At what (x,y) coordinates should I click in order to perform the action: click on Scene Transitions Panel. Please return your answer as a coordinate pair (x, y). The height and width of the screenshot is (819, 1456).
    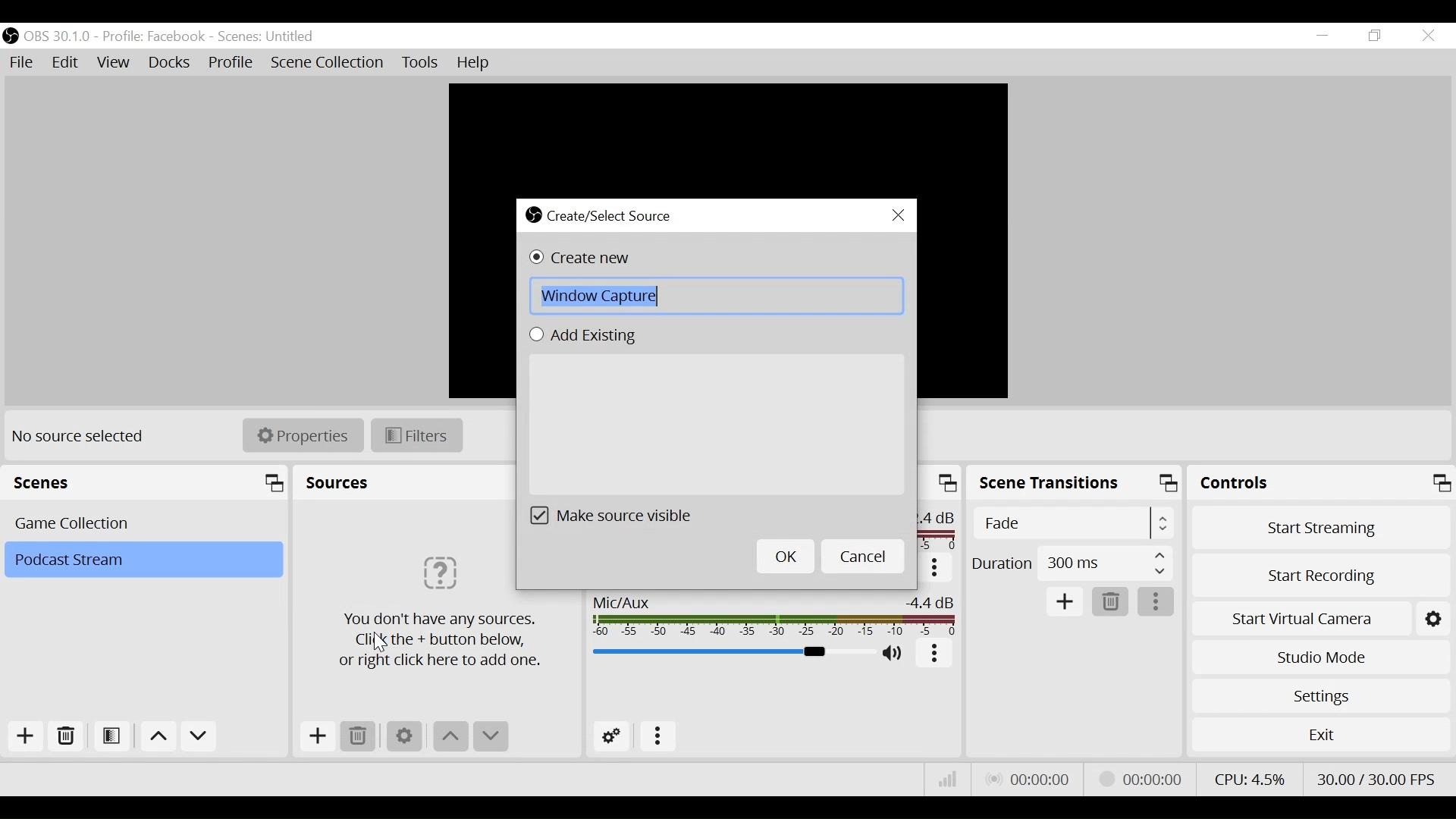
    Looking at the image, I should click on (1075, 482).